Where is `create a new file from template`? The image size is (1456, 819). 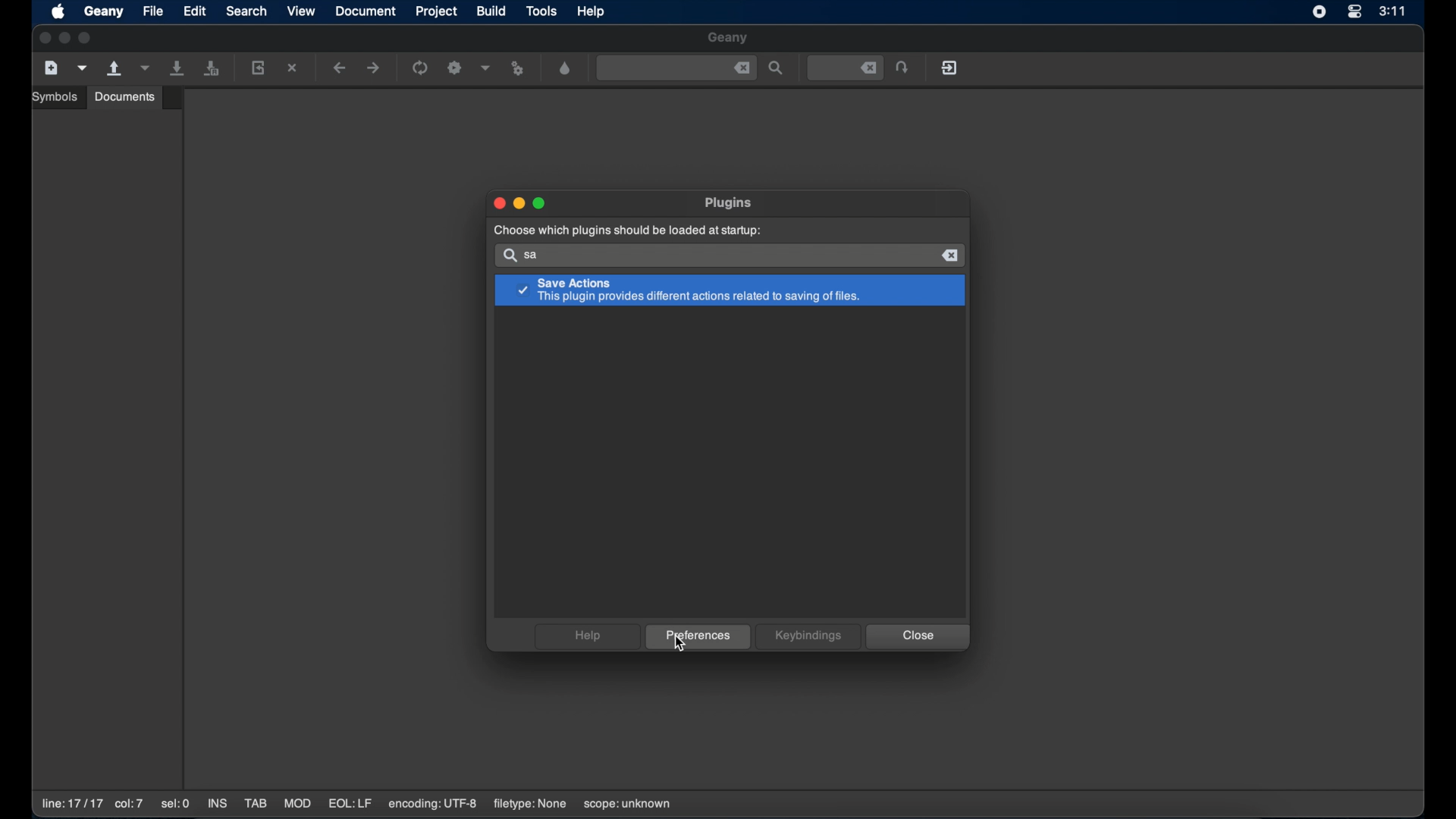
create a new file from template is located at coordinates (83, 68).